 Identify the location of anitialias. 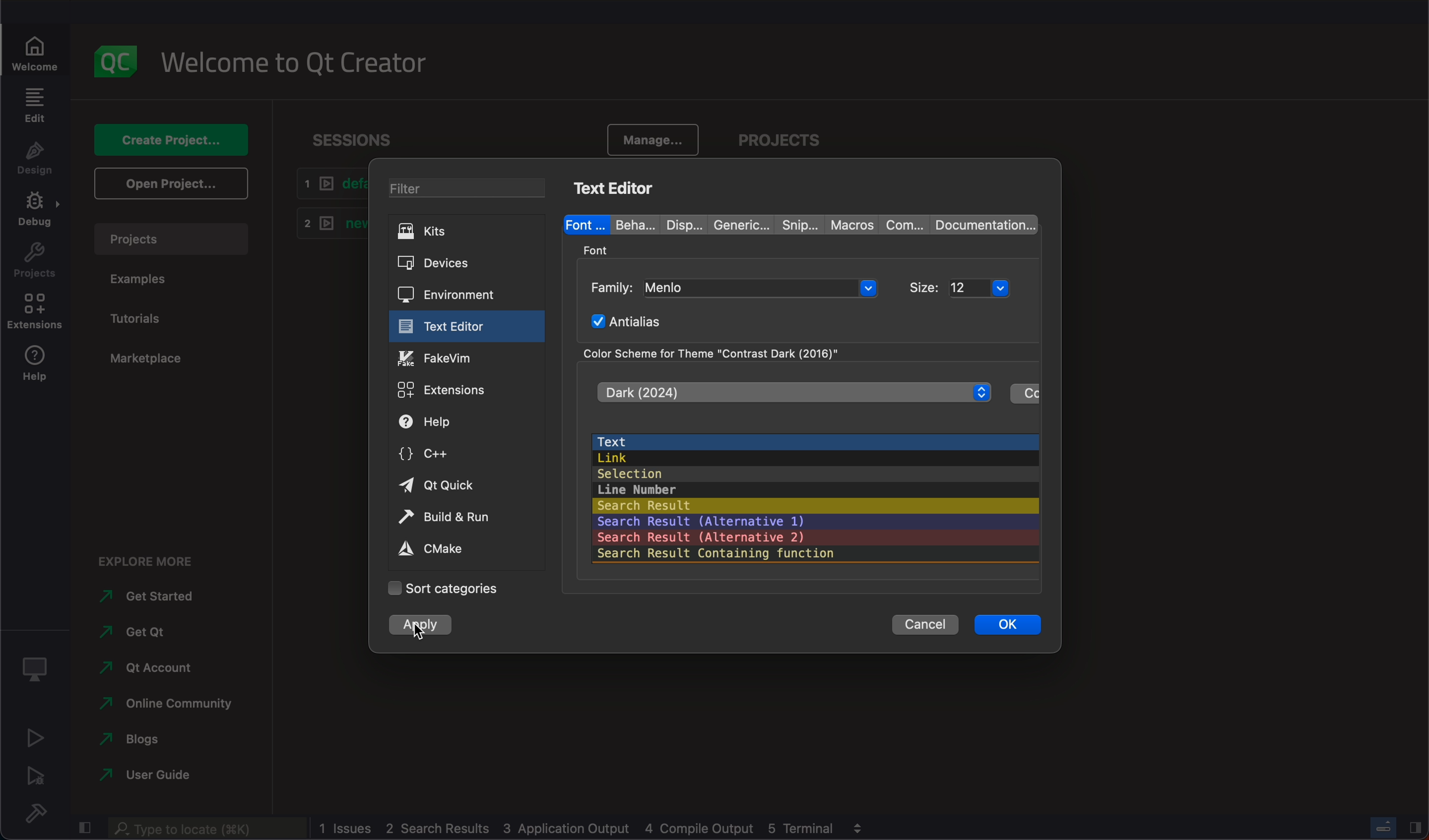
(633, 321).